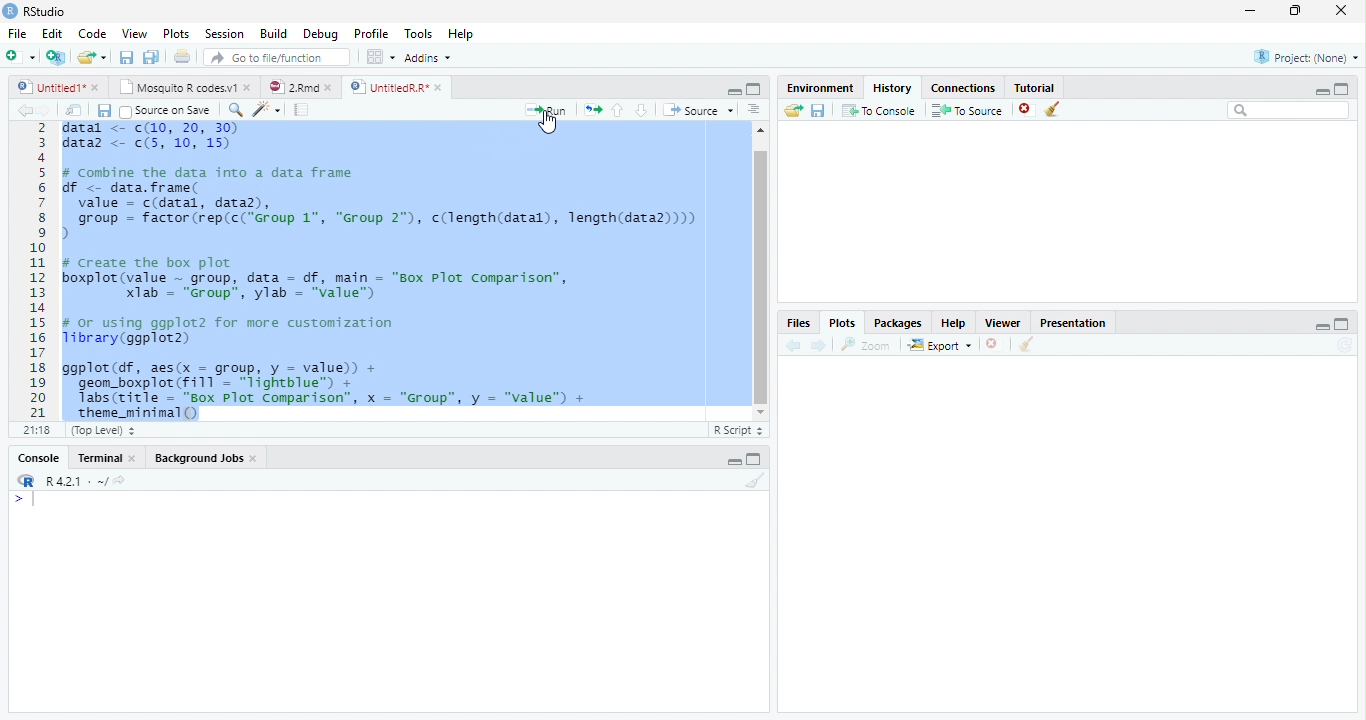 Image resolution: width=1366 pixels, height=720 pixels. Describe the element at coordinates (1289, 111) in the screenshot. I see `Search bar` at that location.